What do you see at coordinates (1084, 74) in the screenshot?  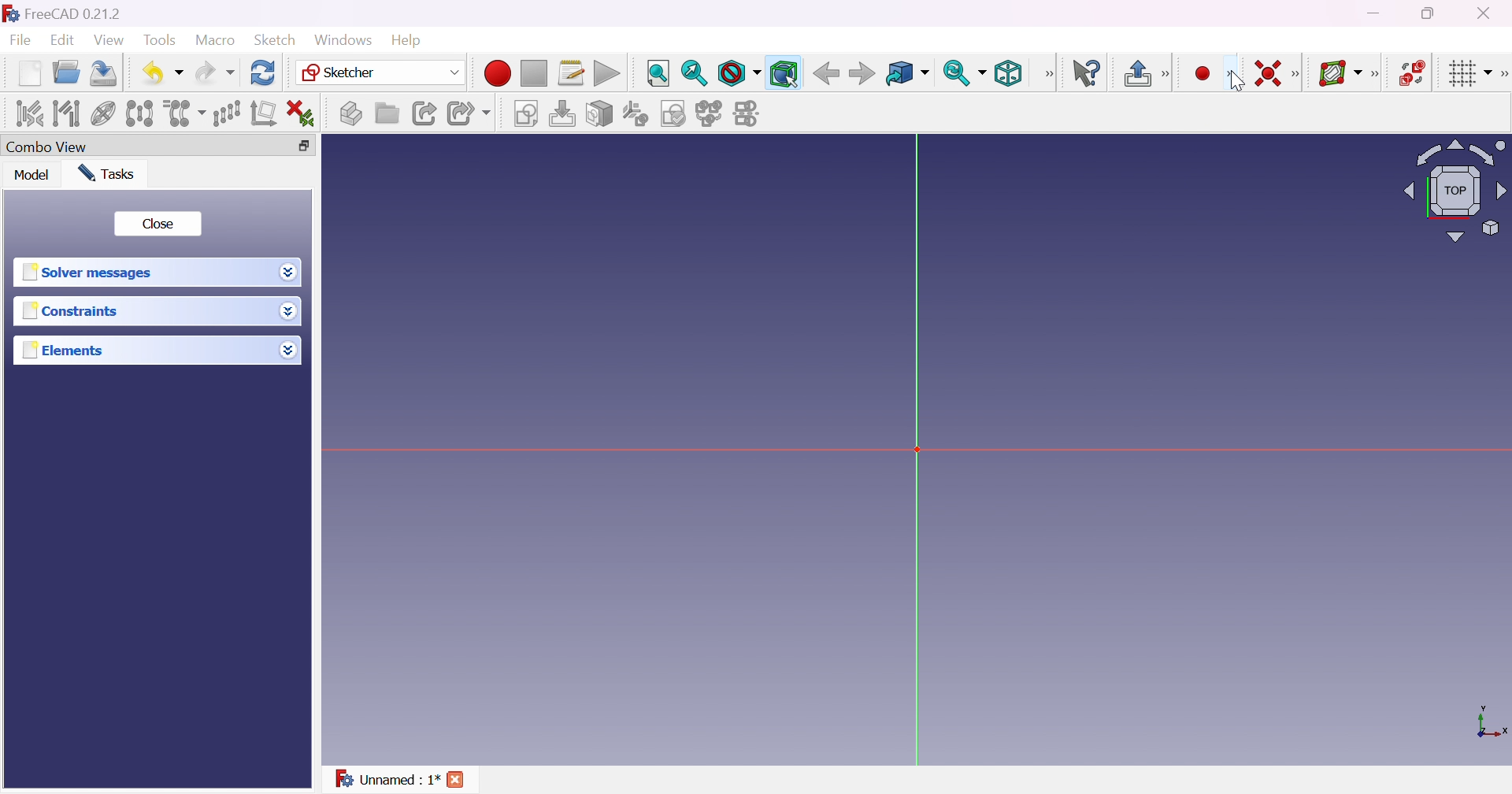 I see `What's this?` at bounding box center [1084, 74].